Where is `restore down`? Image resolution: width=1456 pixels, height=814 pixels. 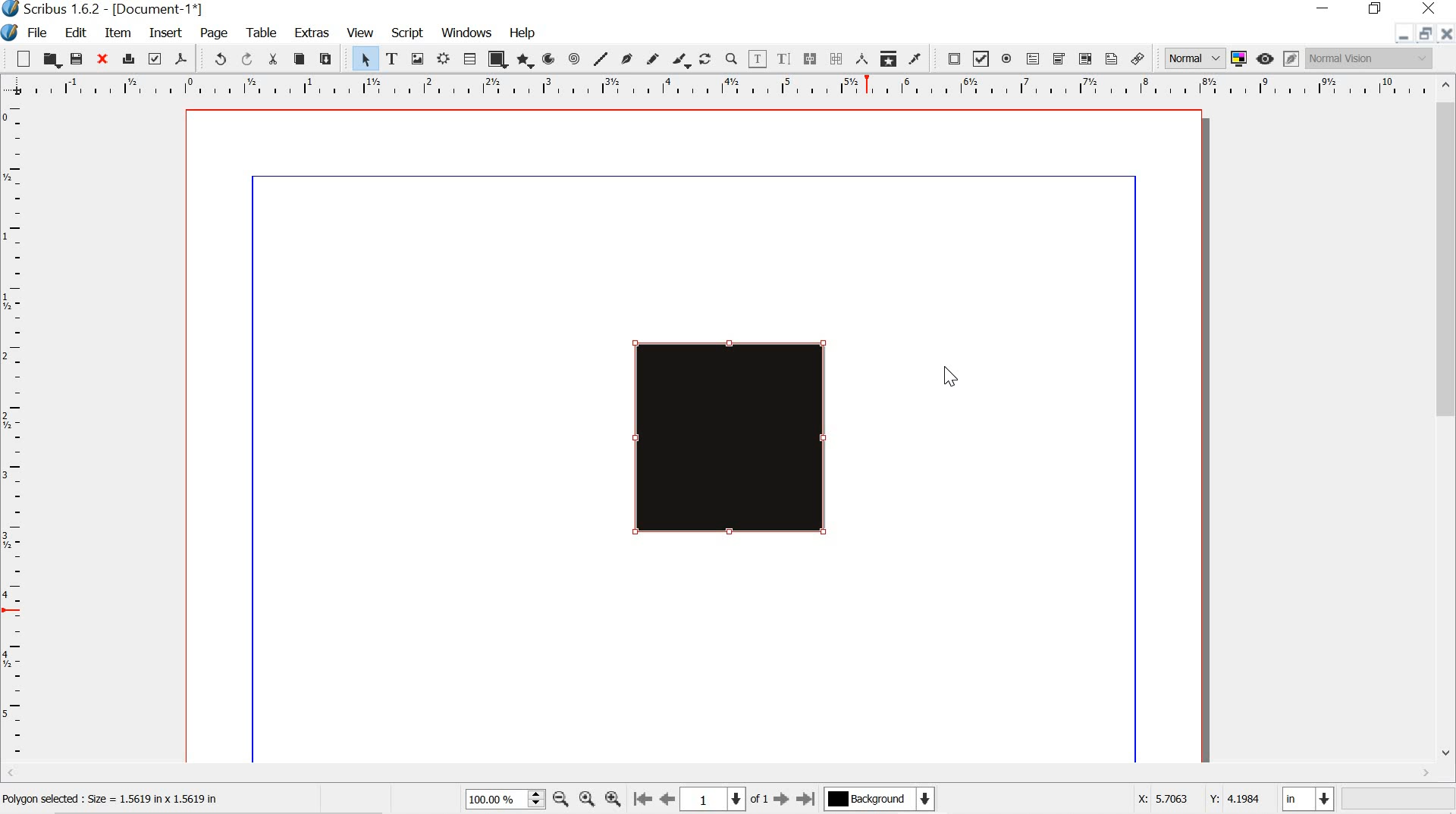 restore down is located at coordinates (1423, 33).